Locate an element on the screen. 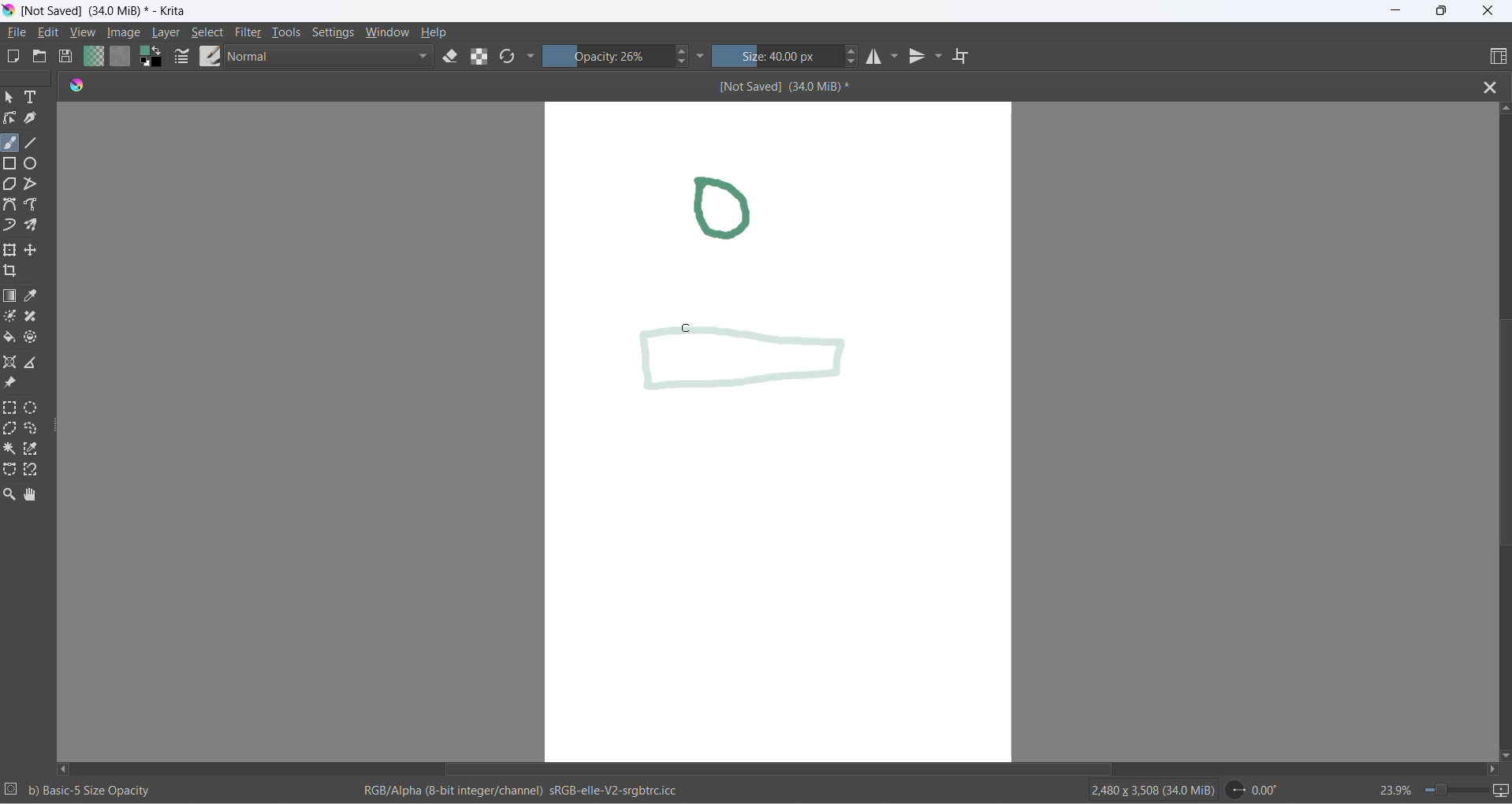 This screenshot has height=804, width=1512. horizontal mirror tool is located at coordinates (875, 57).